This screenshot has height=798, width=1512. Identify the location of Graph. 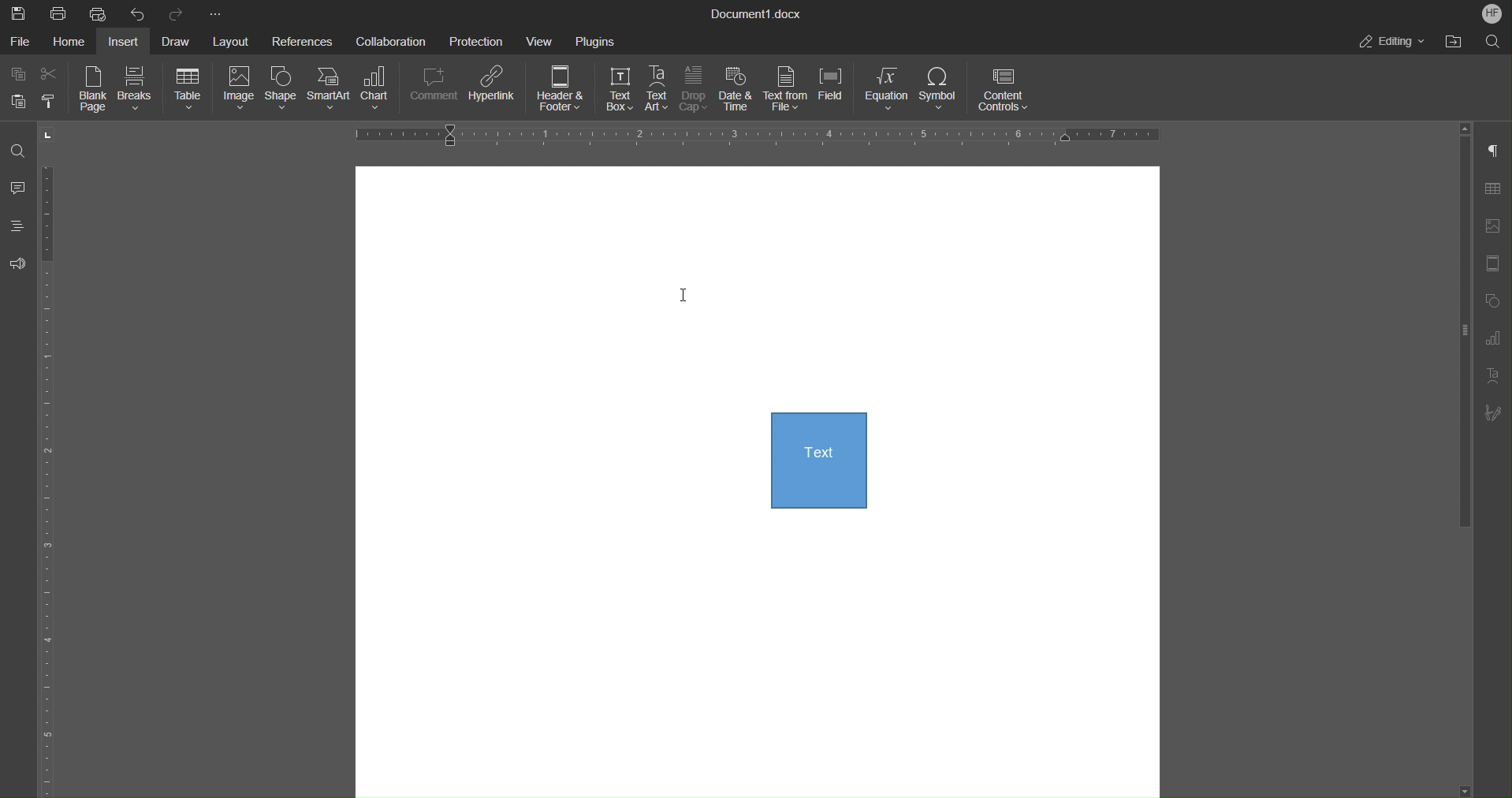
(1499, 338).